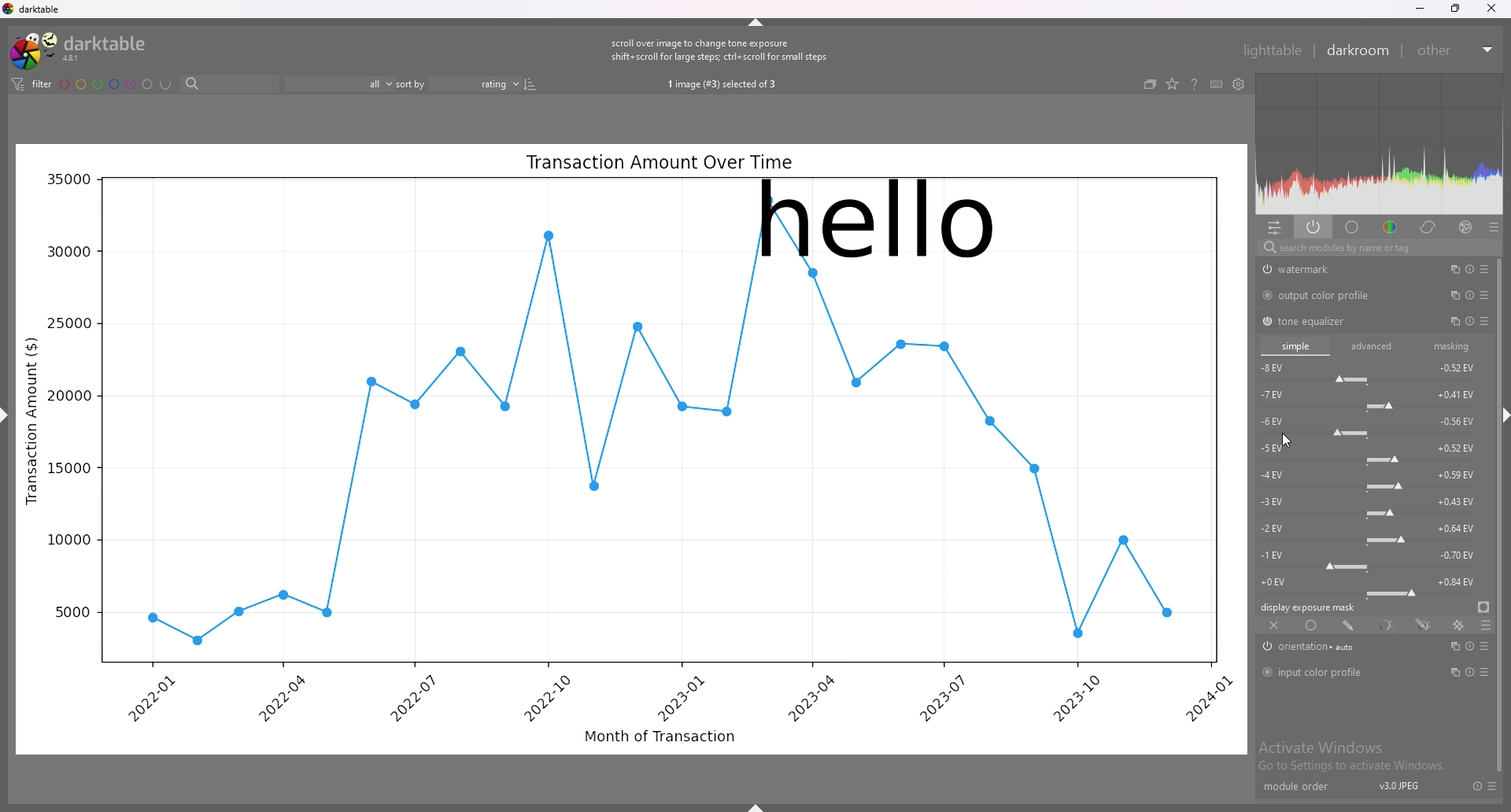  I want to click on 15000, so click(68, 469).